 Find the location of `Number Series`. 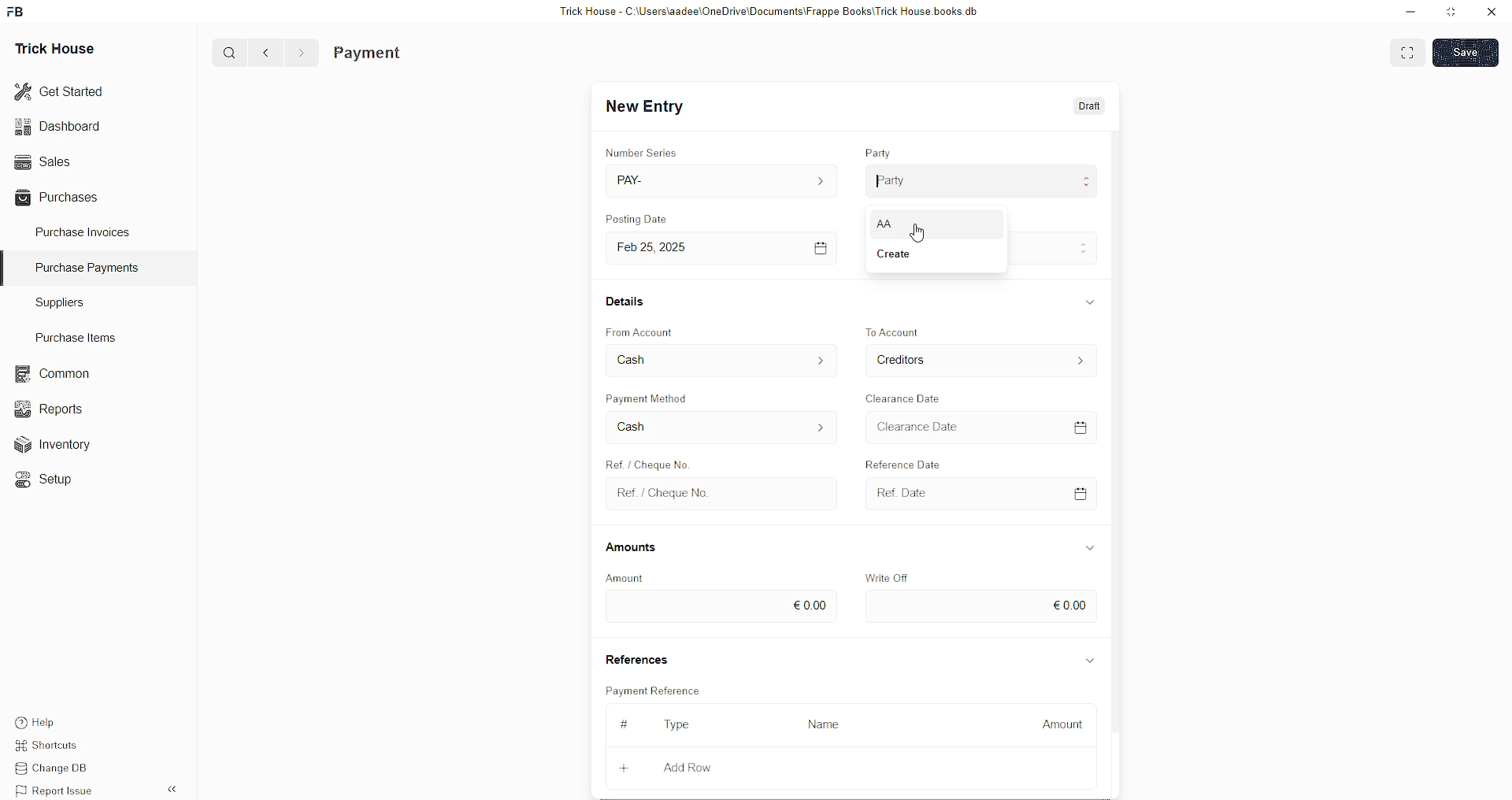

Number Series is located at coordinates (645, 150).